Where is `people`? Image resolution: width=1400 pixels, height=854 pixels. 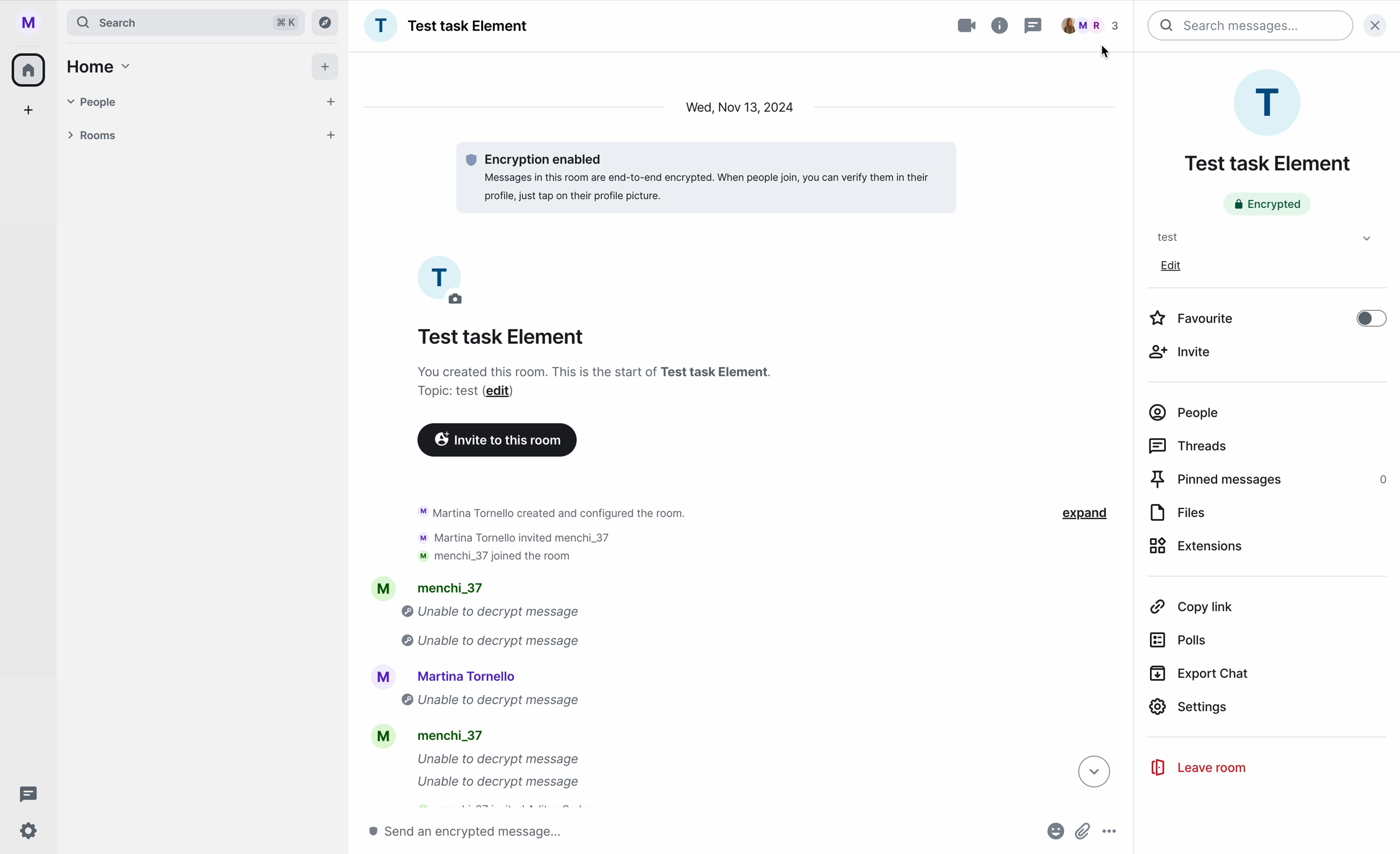
people is located at coordinates (1095, 25).